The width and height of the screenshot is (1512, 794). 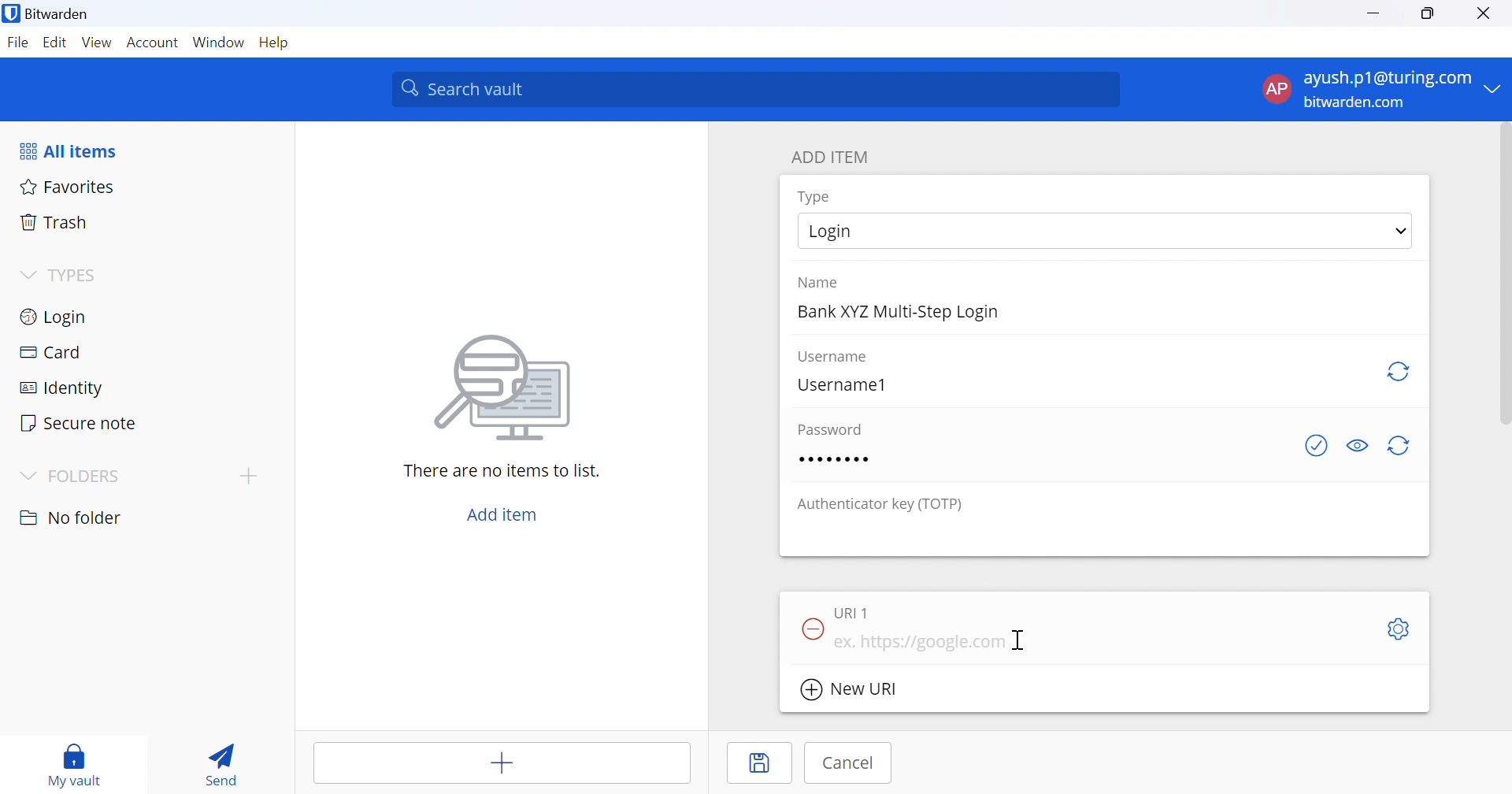 I want to click on Favorites, so click(x=68, y=186).